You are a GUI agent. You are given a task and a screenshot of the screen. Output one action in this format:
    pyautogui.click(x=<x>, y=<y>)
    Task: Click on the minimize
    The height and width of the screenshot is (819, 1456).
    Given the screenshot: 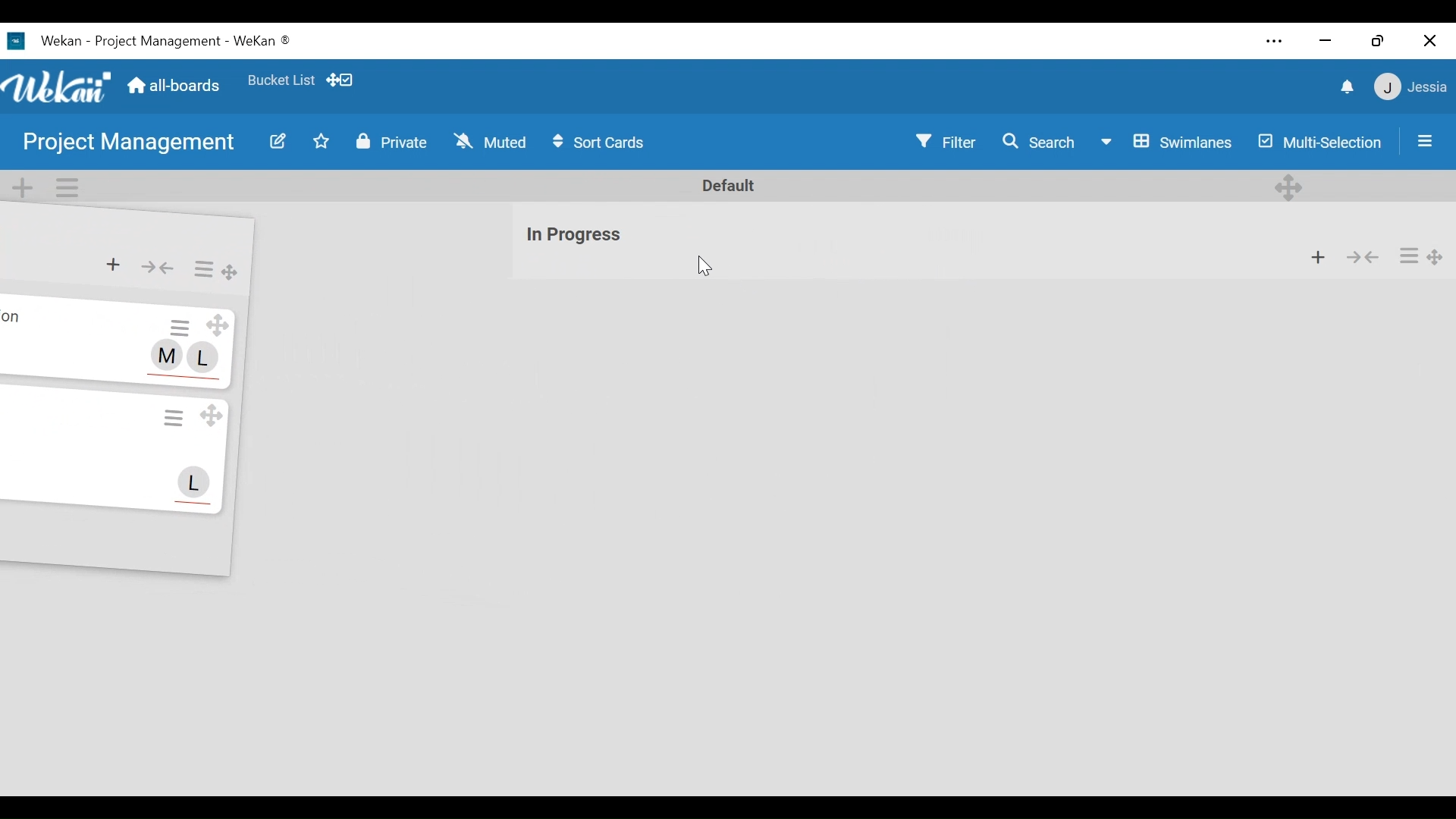 What is the action you would take?
    pyautogui.click(x=1323, y=42)
    